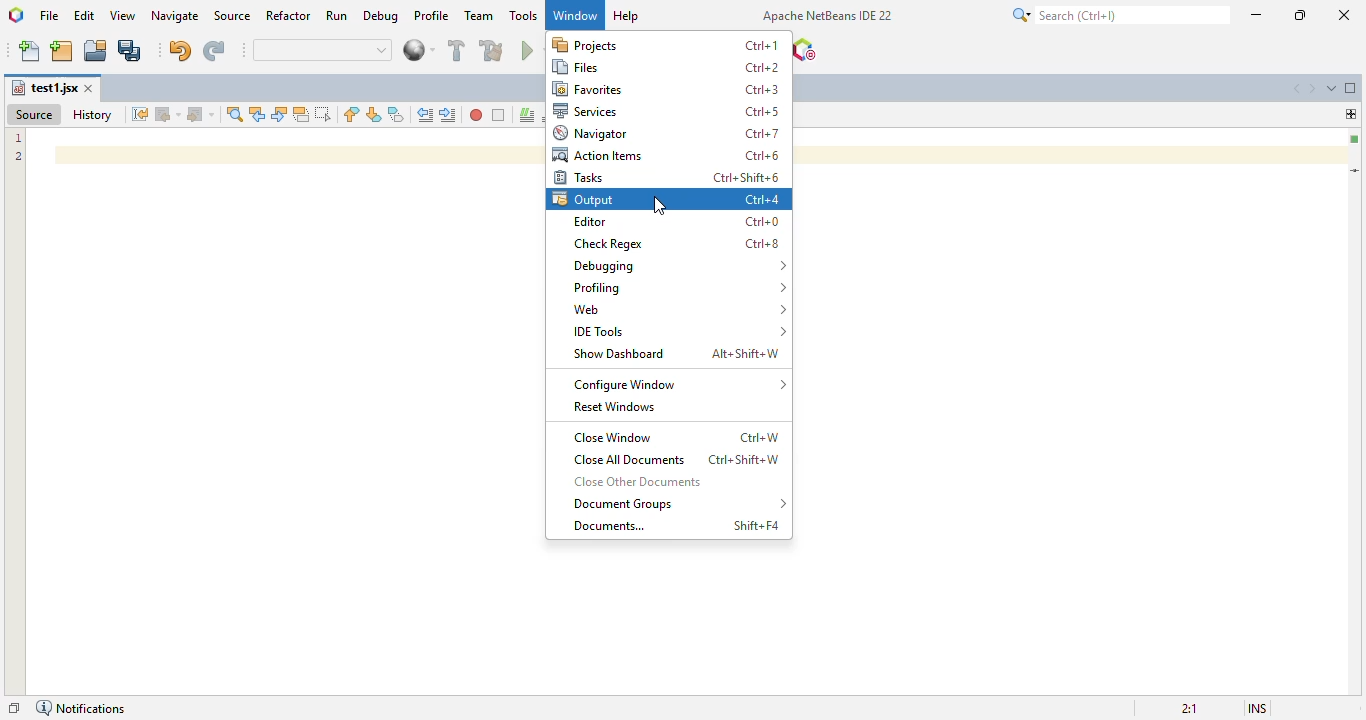 The height and width of the screenshot is (720, 1366). Describe the element at coordinates (457, 50) in the screenshot. I see `build project` at that location.